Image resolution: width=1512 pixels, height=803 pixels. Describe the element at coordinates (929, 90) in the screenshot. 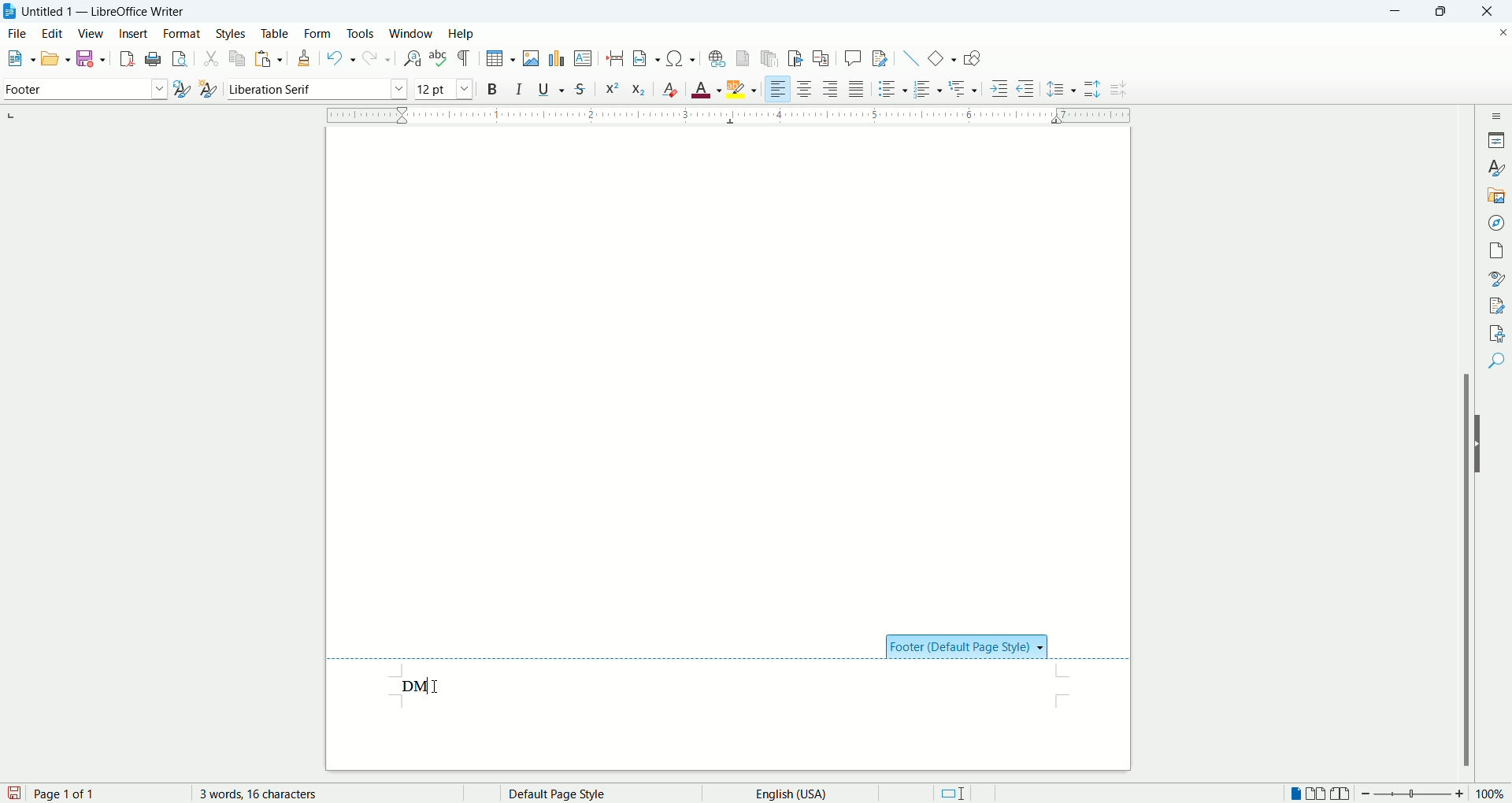

I see `ordered list` at that location.